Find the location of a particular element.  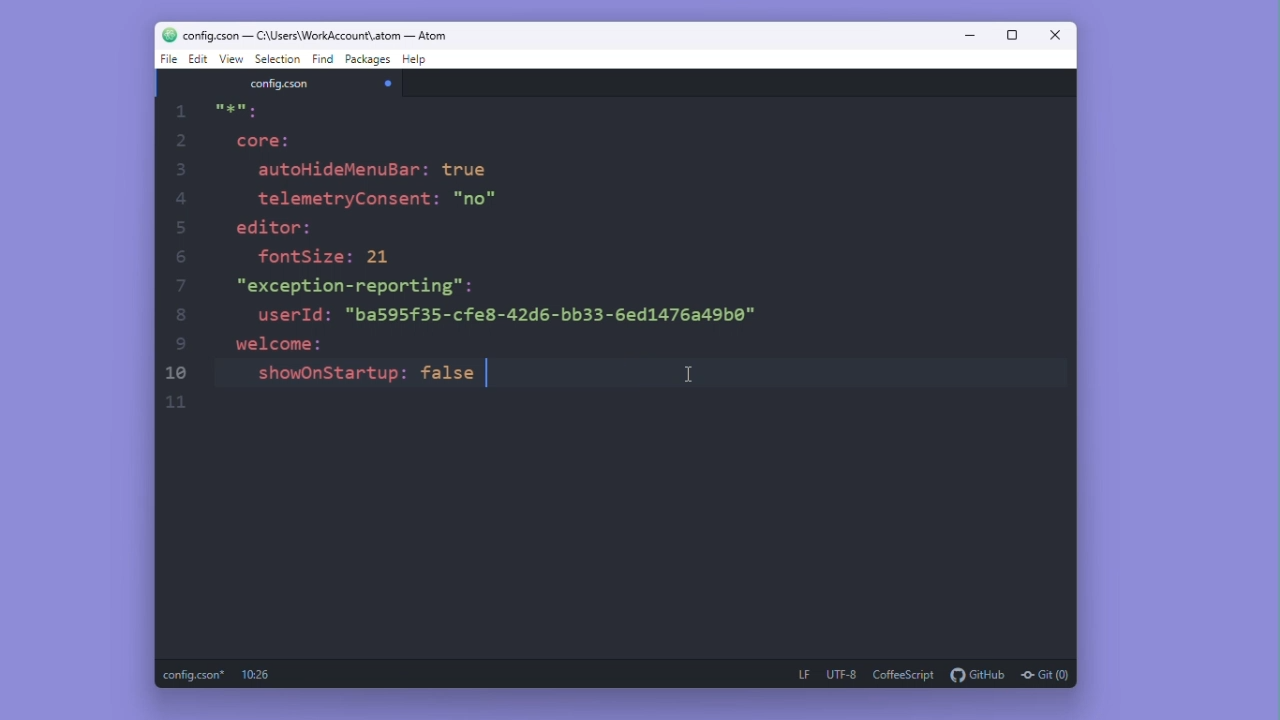

config.cson is located at coordinates (192, 674).